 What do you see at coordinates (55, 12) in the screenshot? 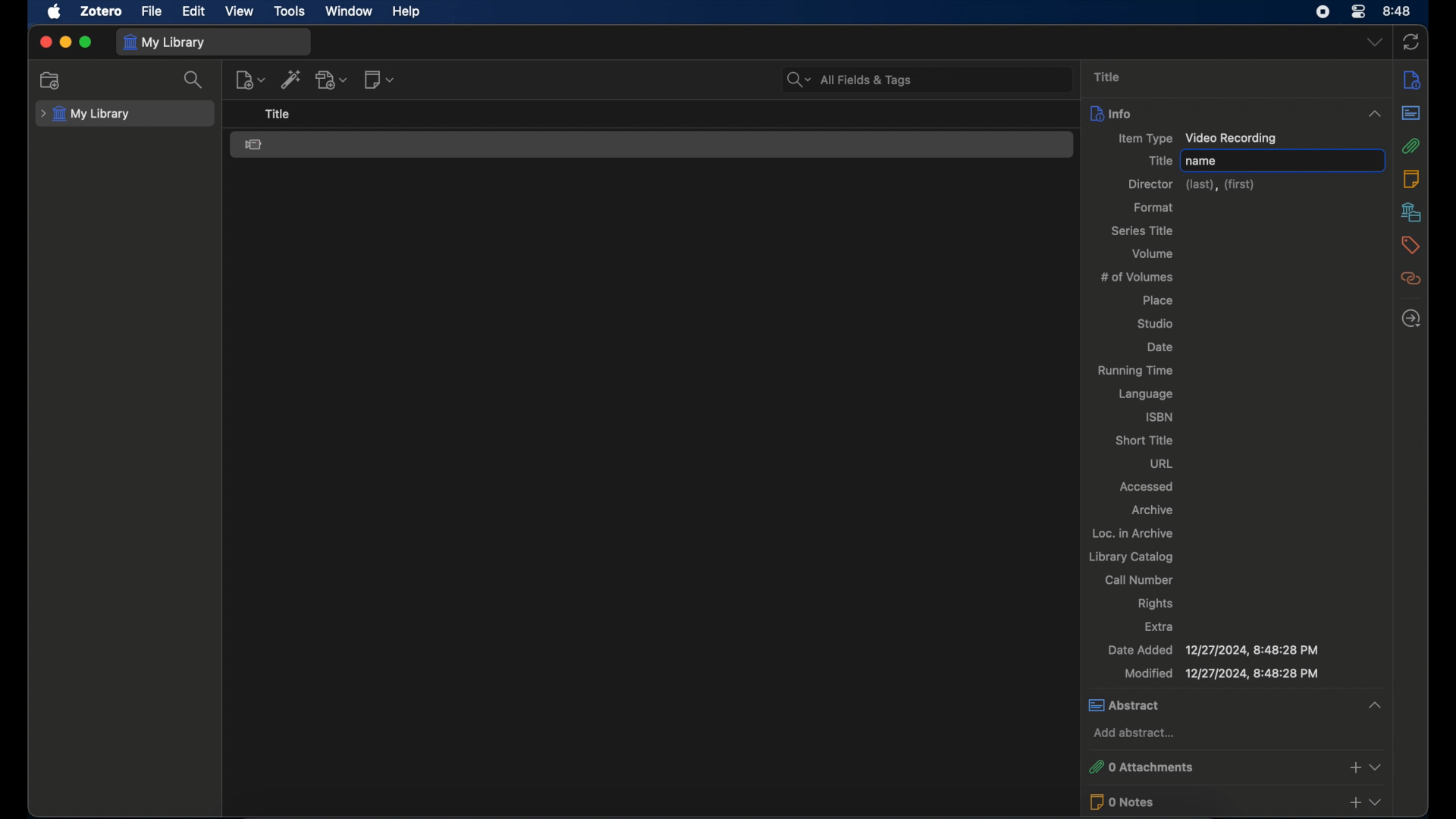
I see `apple` at bounding box center [55, 12].